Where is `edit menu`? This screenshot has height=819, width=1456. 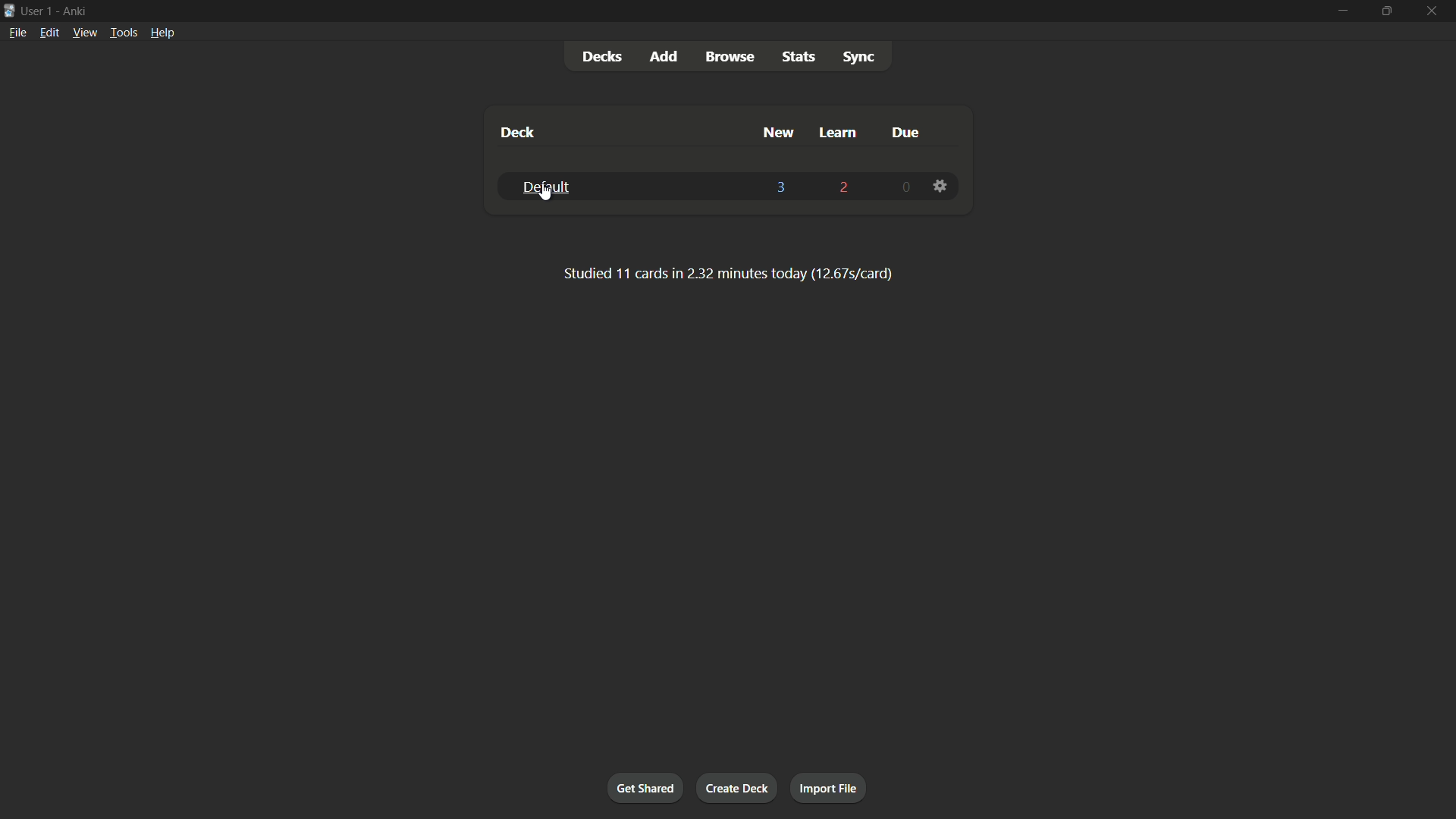 edit menu is located at coordinates (49, 33).